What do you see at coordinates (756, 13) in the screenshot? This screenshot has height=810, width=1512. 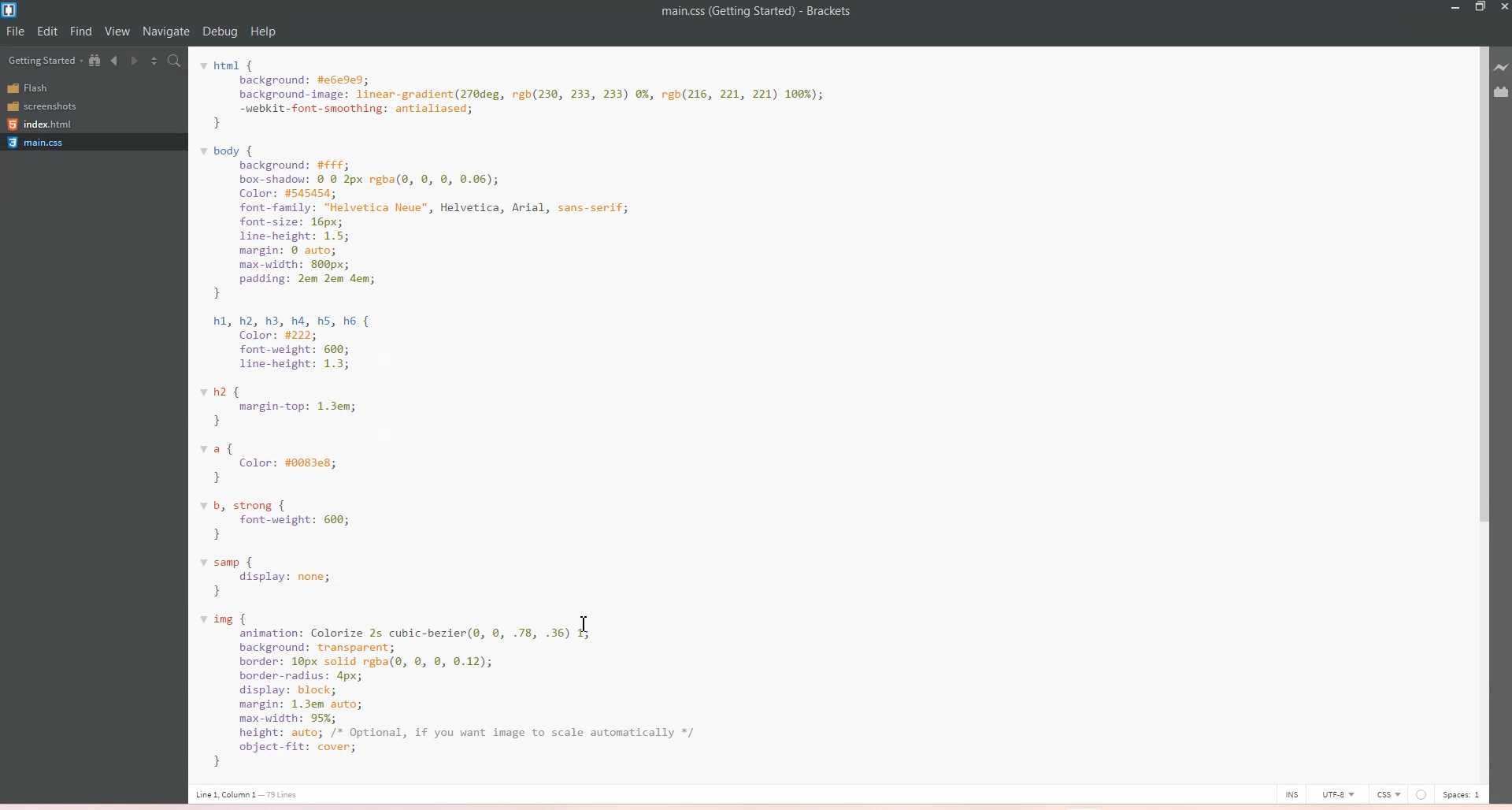 I see `main.css(Getting Started)-Brackets` at bounding box center [756, 13].